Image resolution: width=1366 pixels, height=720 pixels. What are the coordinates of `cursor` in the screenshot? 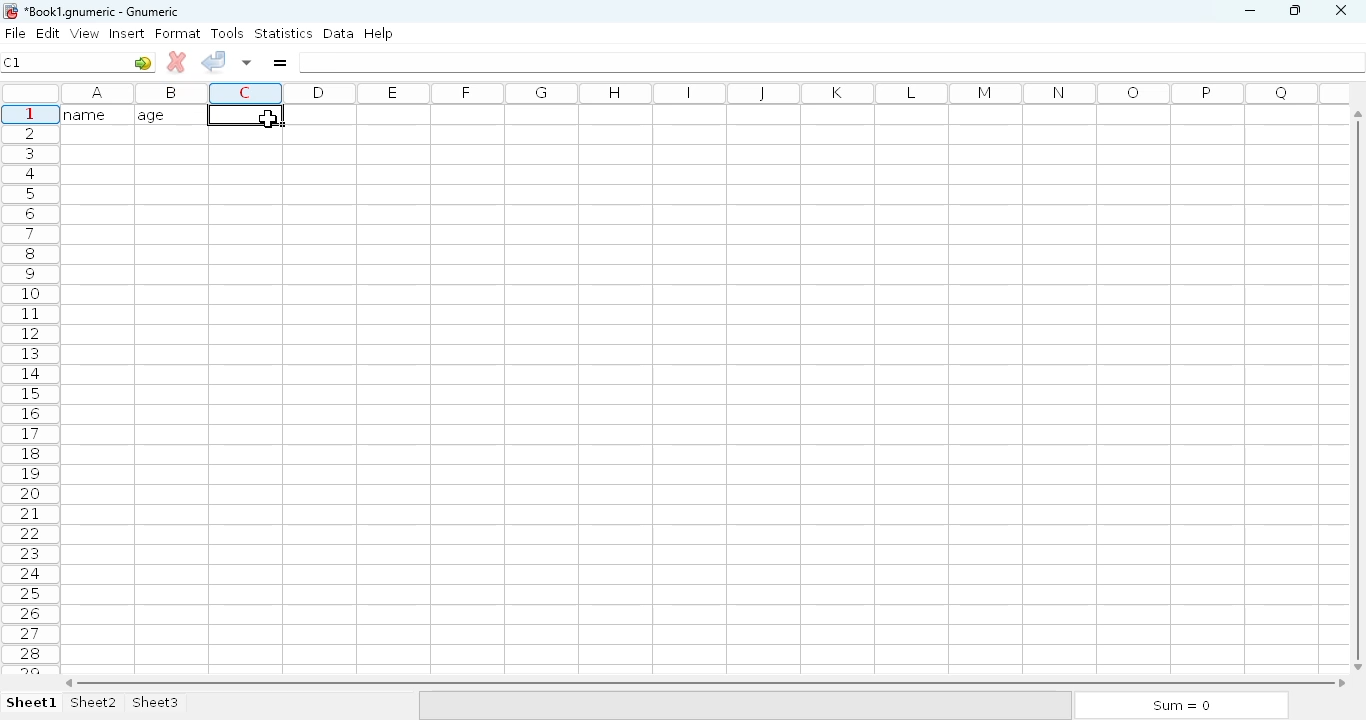 It's located at (266, 119).